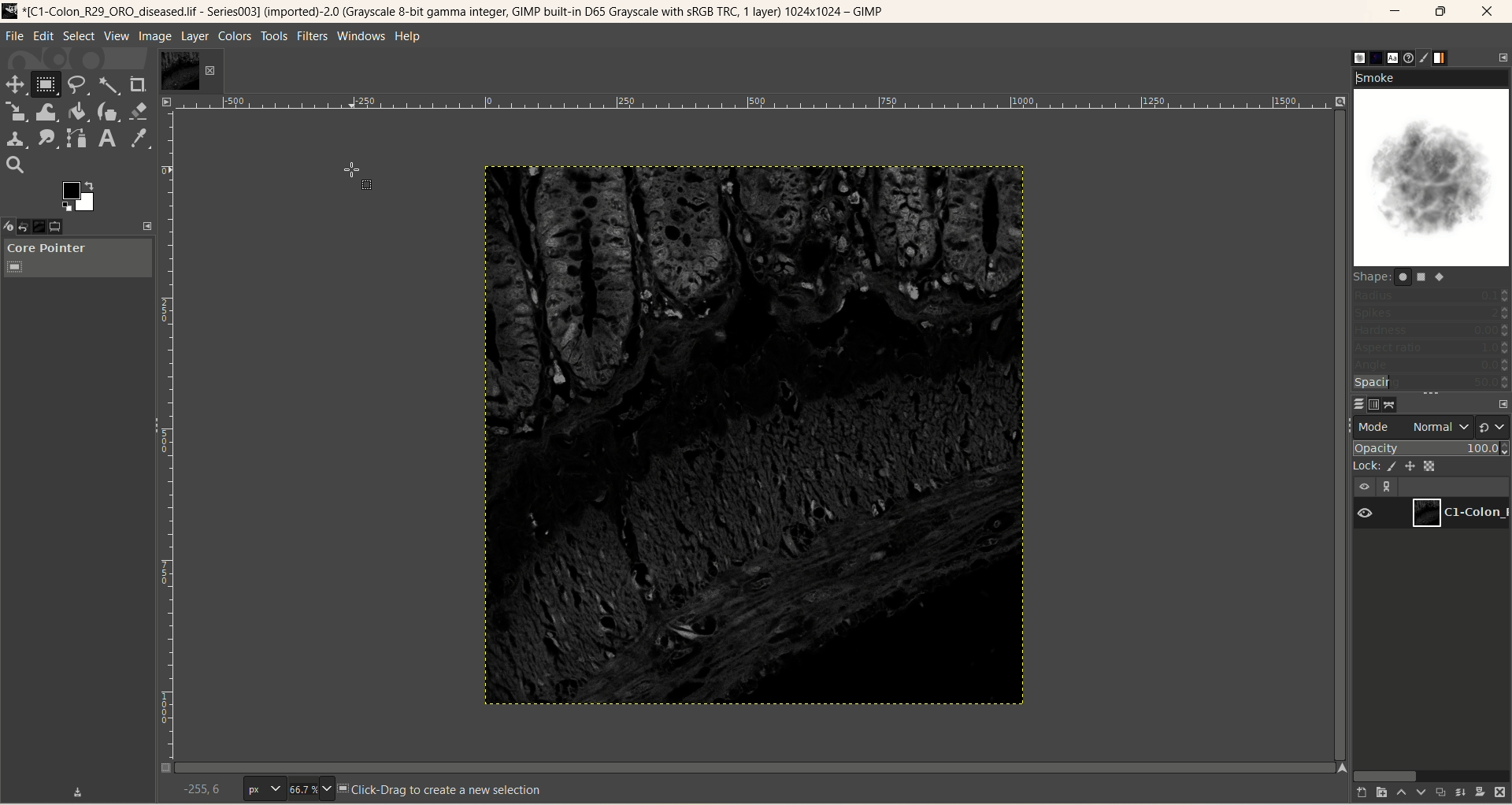 This screenshot has height=805, width=1512. What do you see at coordinates (1423, 57) in the screenshot?
I see `brush editor` at bounding box center [1423, 57].